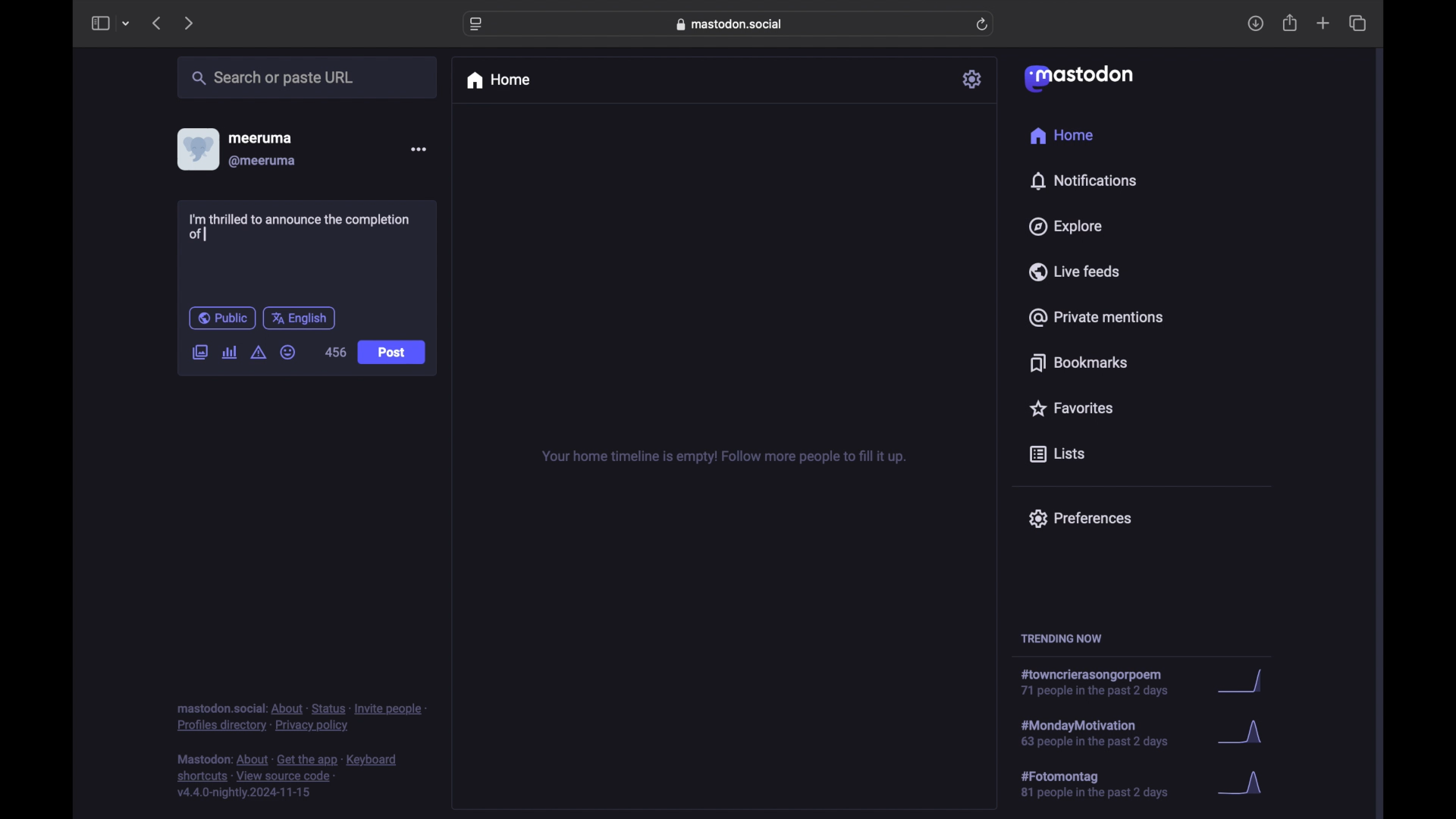 This screenshot has height=819, width=1456. What do you see at coordinates (222, 318) in the screenshot?
I see `public` at bounding box center [222, 318].